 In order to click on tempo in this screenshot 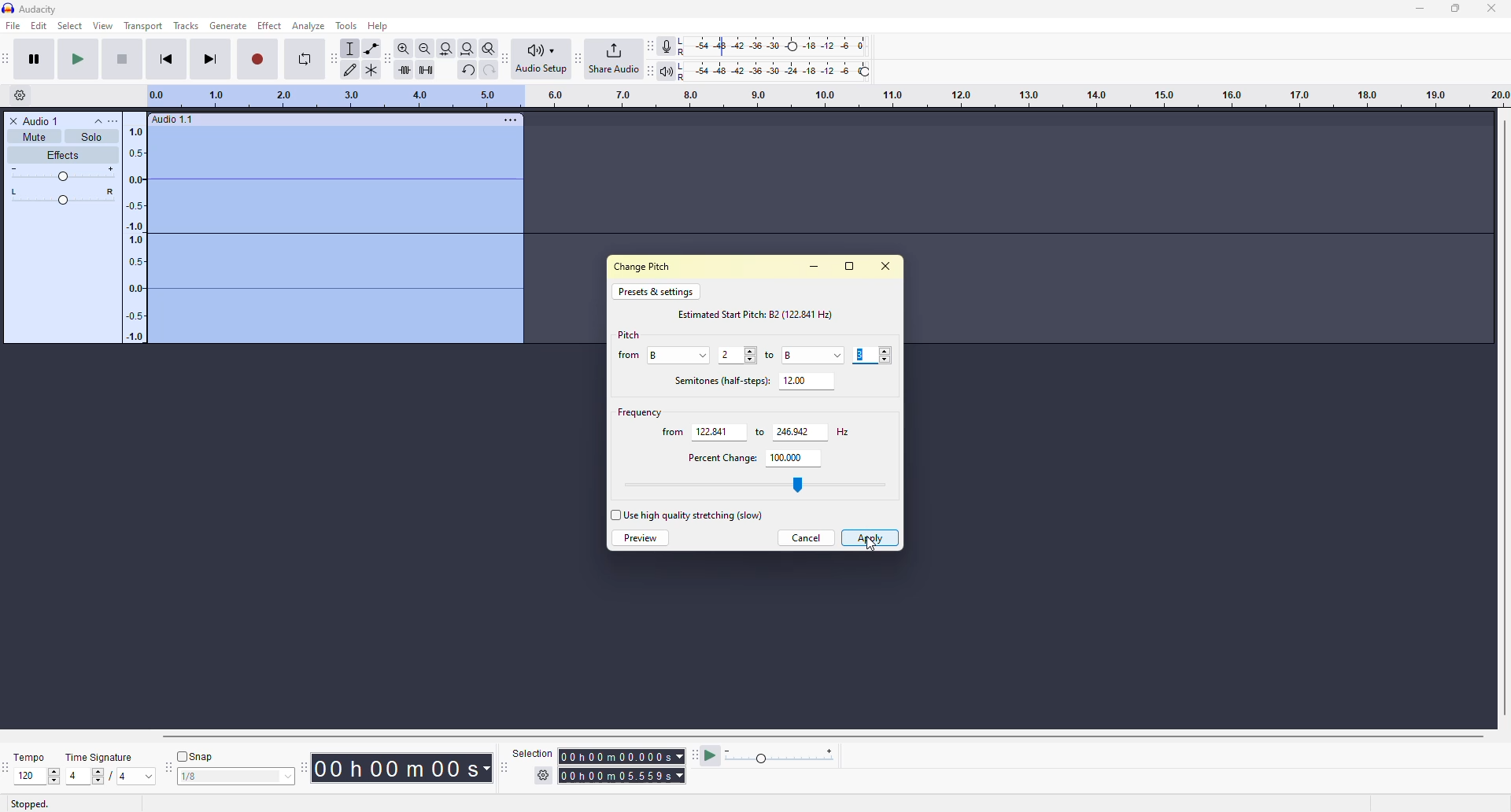, I will do `click(33, 756)`.